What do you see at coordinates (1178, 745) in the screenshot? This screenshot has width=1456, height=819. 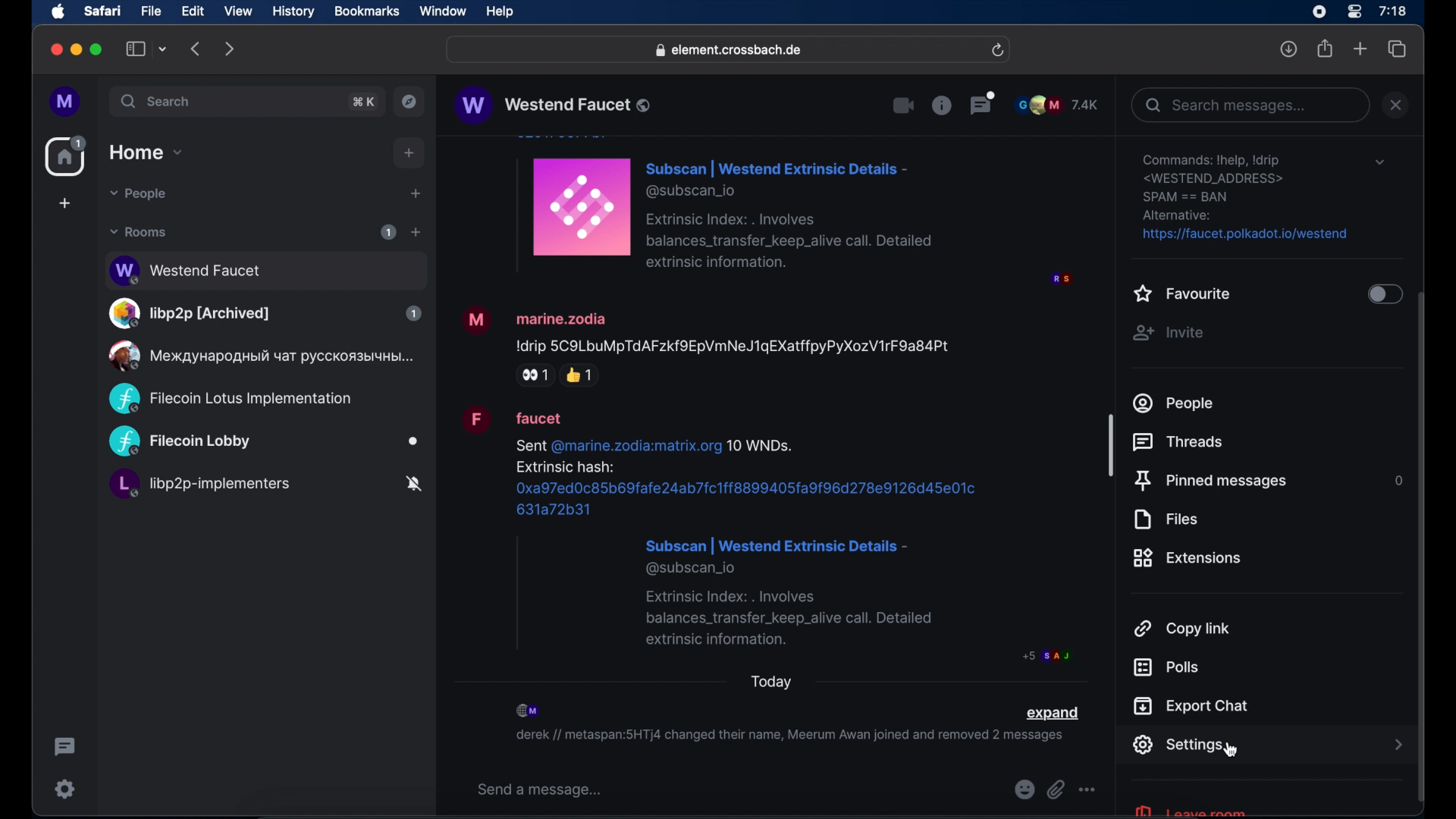 I see `settings` at bounding box center [1178, 745].